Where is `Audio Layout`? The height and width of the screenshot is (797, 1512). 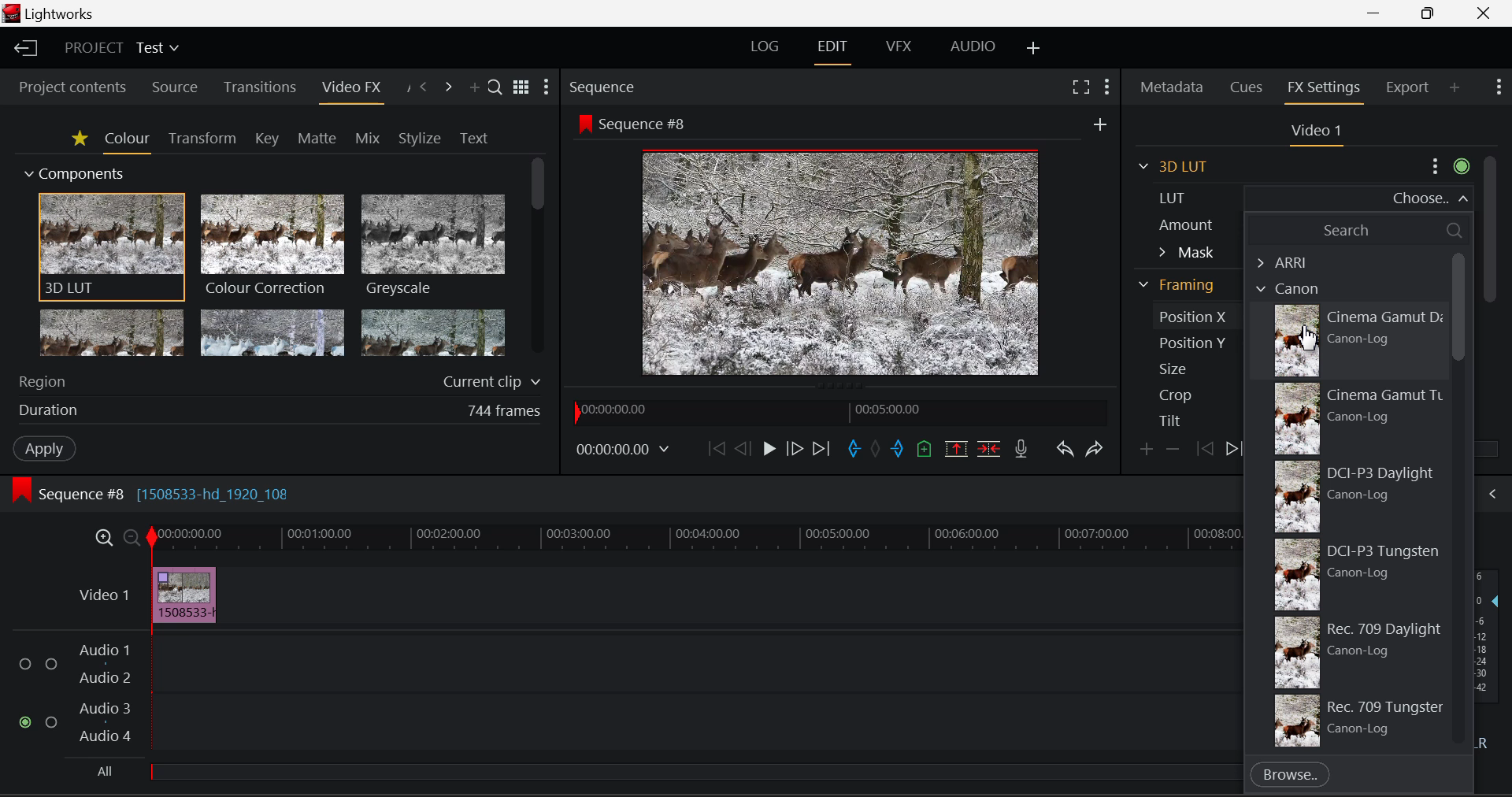
Audio Layout is located at coordinates (970, 47).